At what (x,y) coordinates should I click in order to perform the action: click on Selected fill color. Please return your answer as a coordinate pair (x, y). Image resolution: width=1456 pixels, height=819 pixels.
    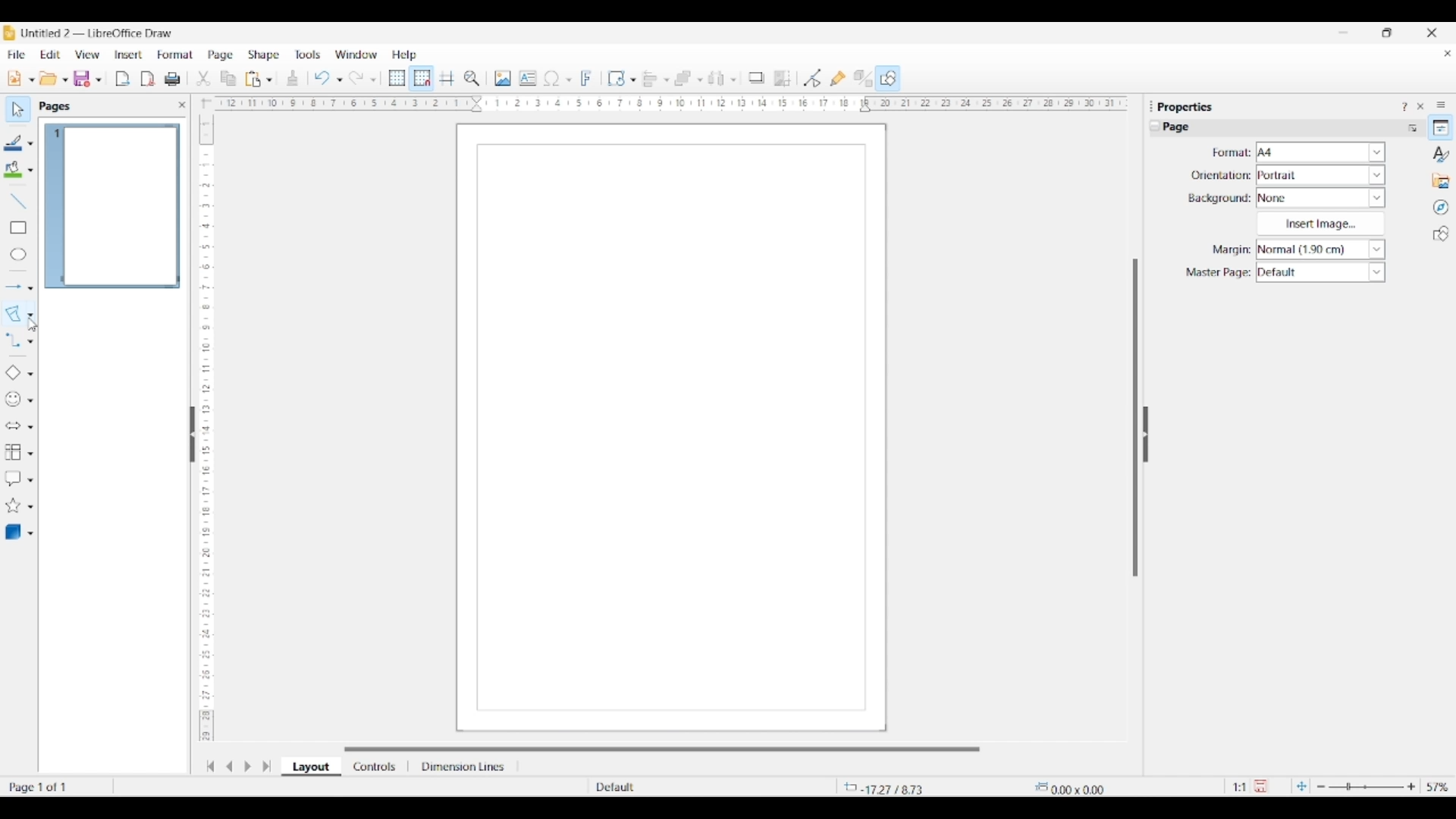
    Looking at the image, I should click on (10, 169).